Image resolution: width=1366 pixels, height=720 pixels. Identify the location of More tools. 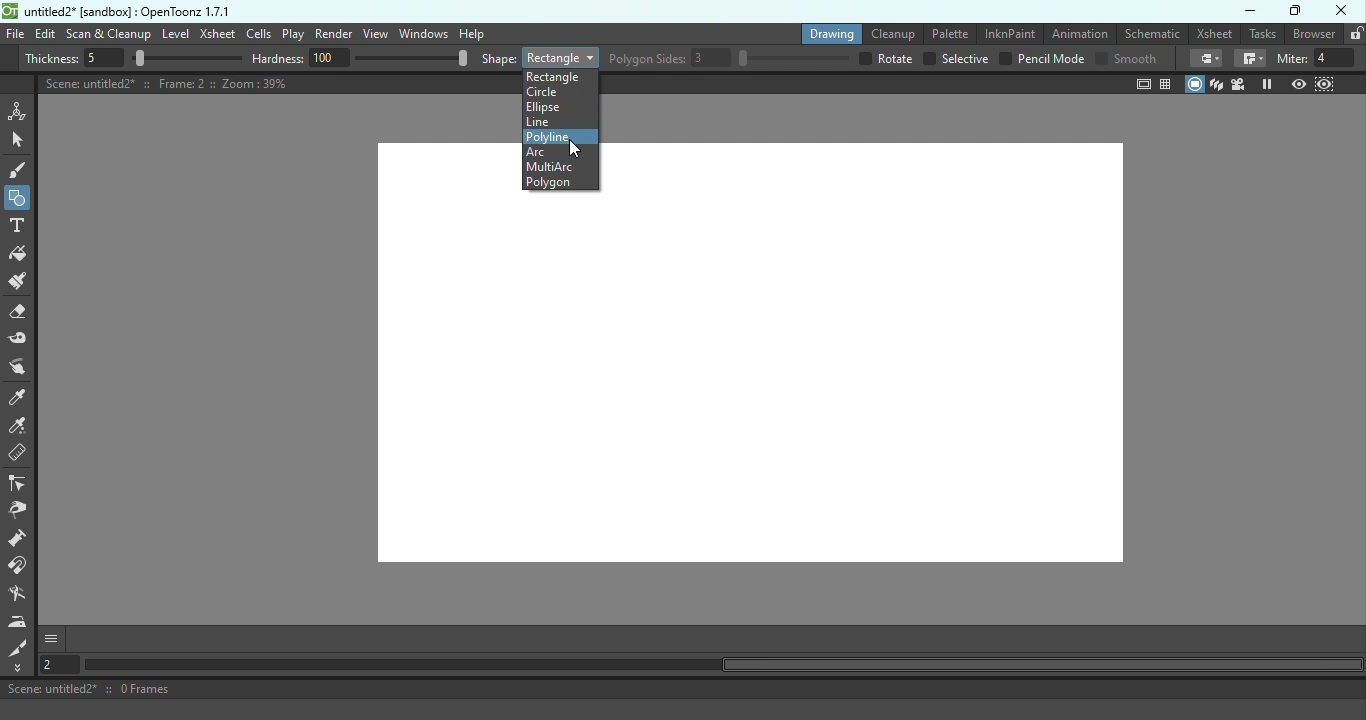
(21, 668).